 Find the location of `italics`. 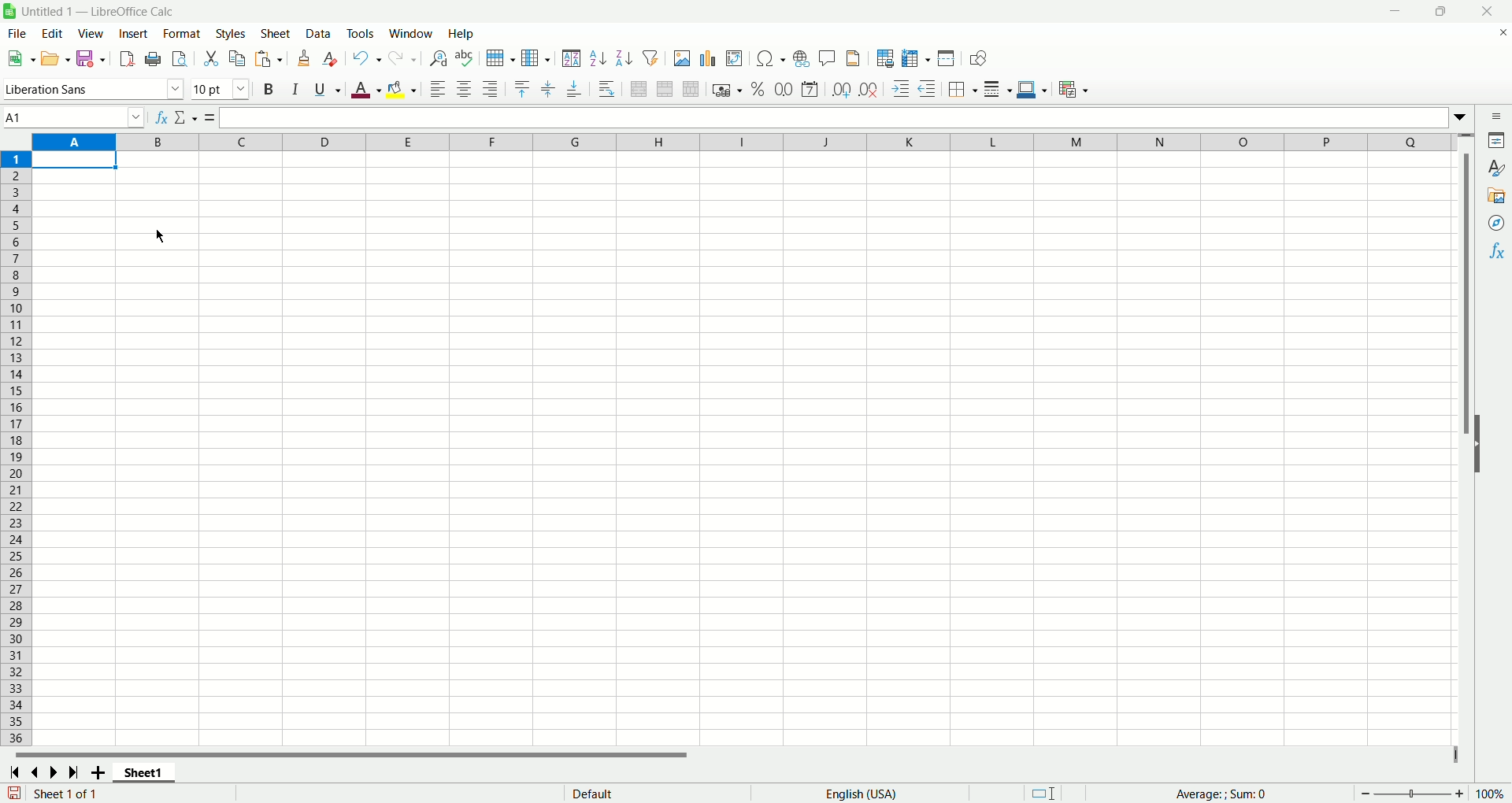

italics is located at coordinates (295, 91).